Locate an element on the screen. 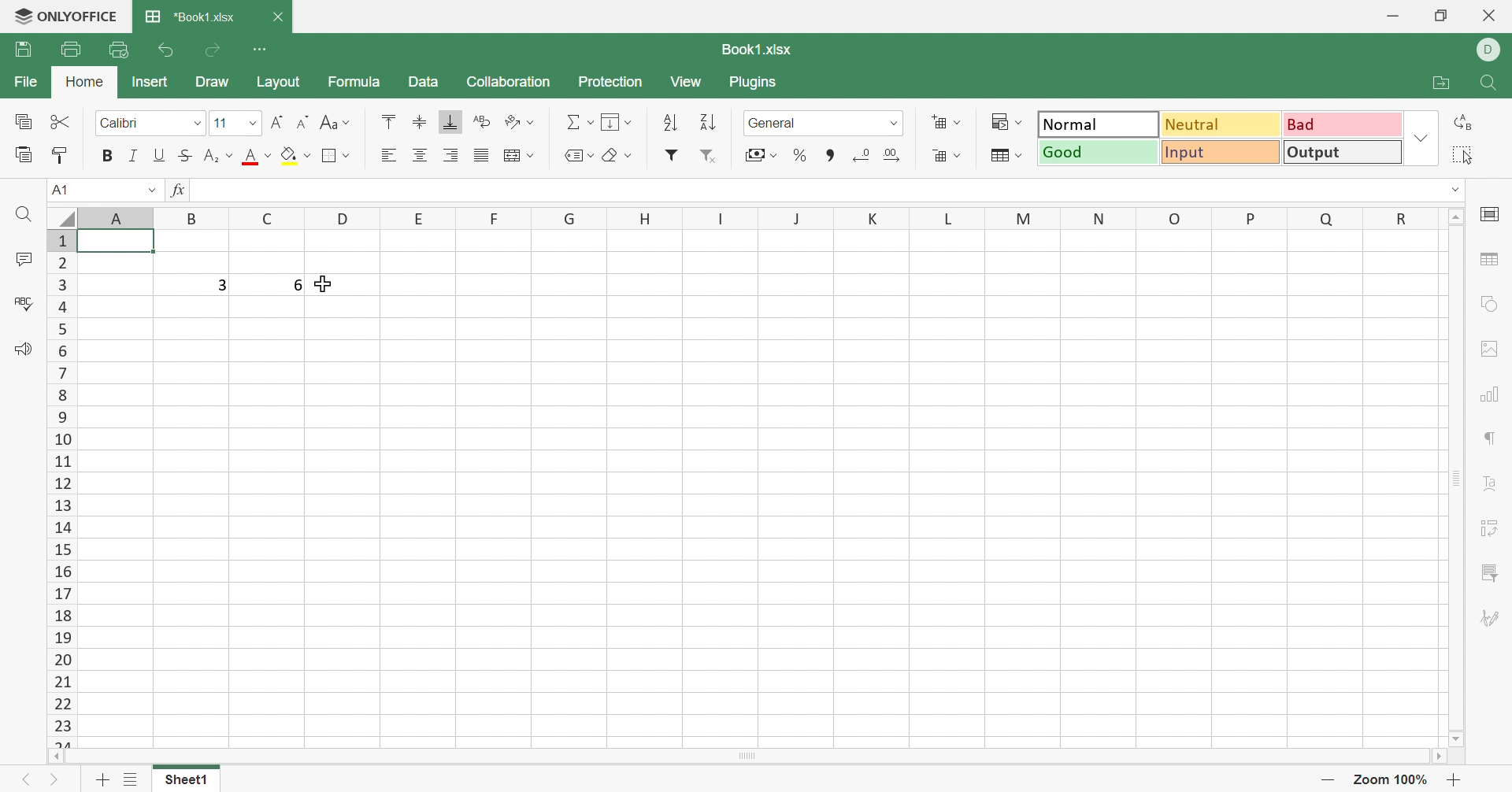 The image size is (1512, 792). Collaboration is located at coordinates (508, 81).